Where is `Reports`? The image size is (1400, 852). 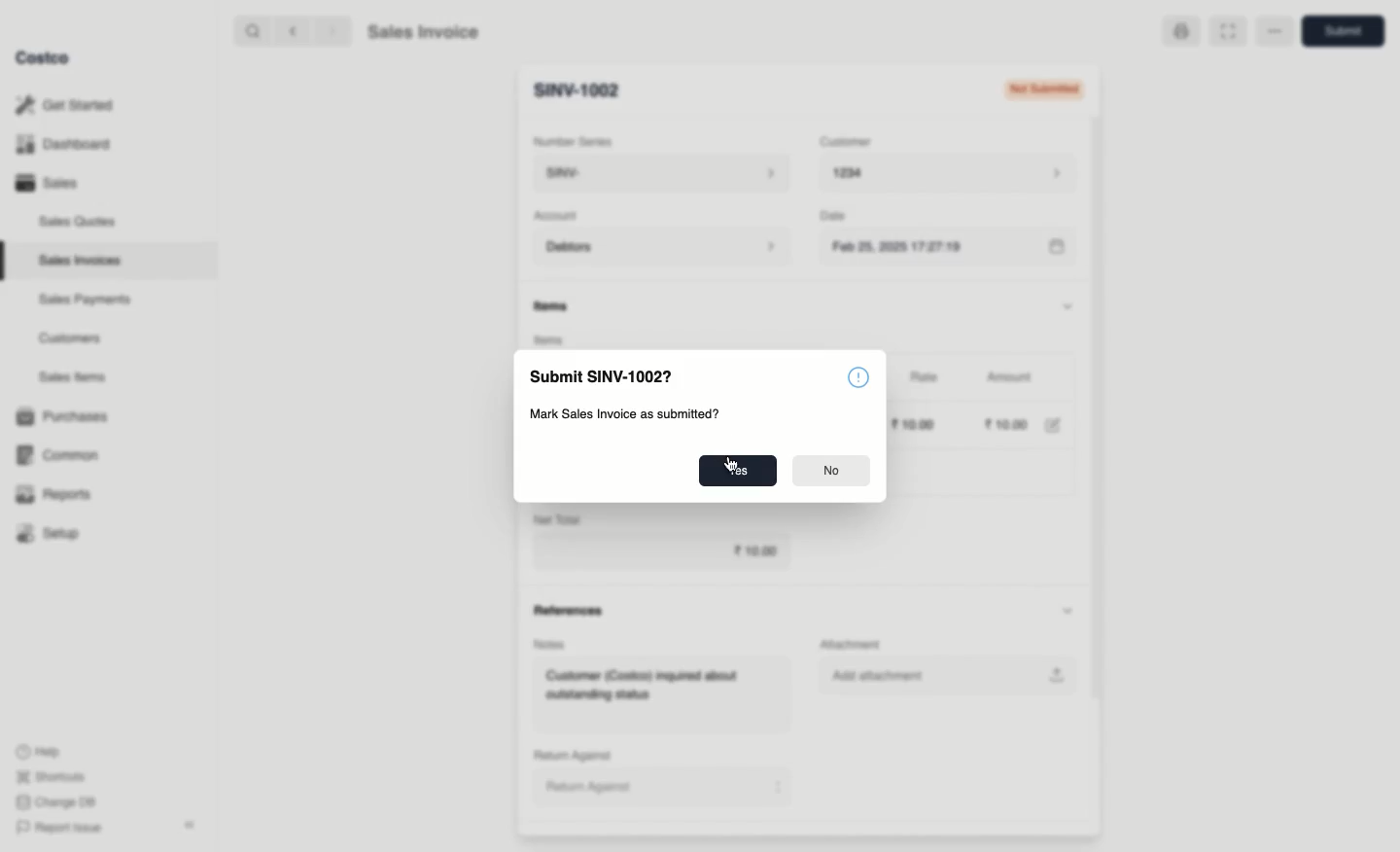 Reports is located at coordinates (53, 496).